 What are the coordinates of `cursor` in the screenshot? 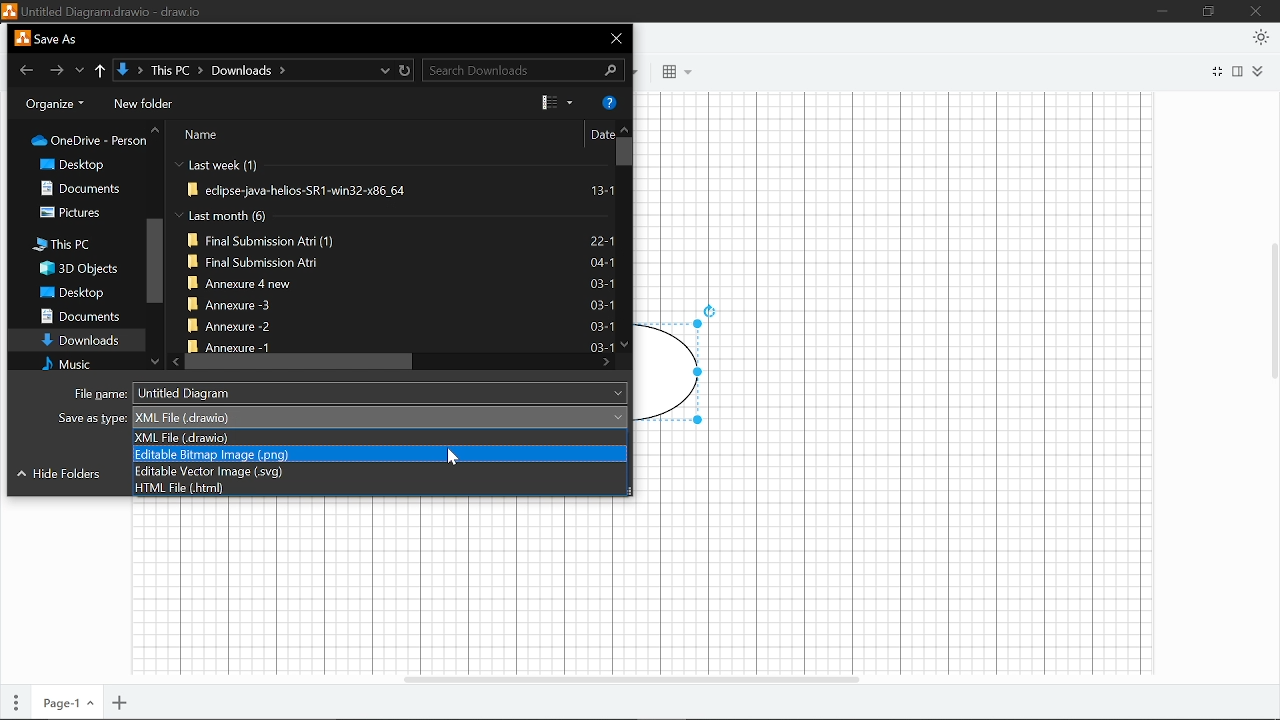 It's located at (454, 456).